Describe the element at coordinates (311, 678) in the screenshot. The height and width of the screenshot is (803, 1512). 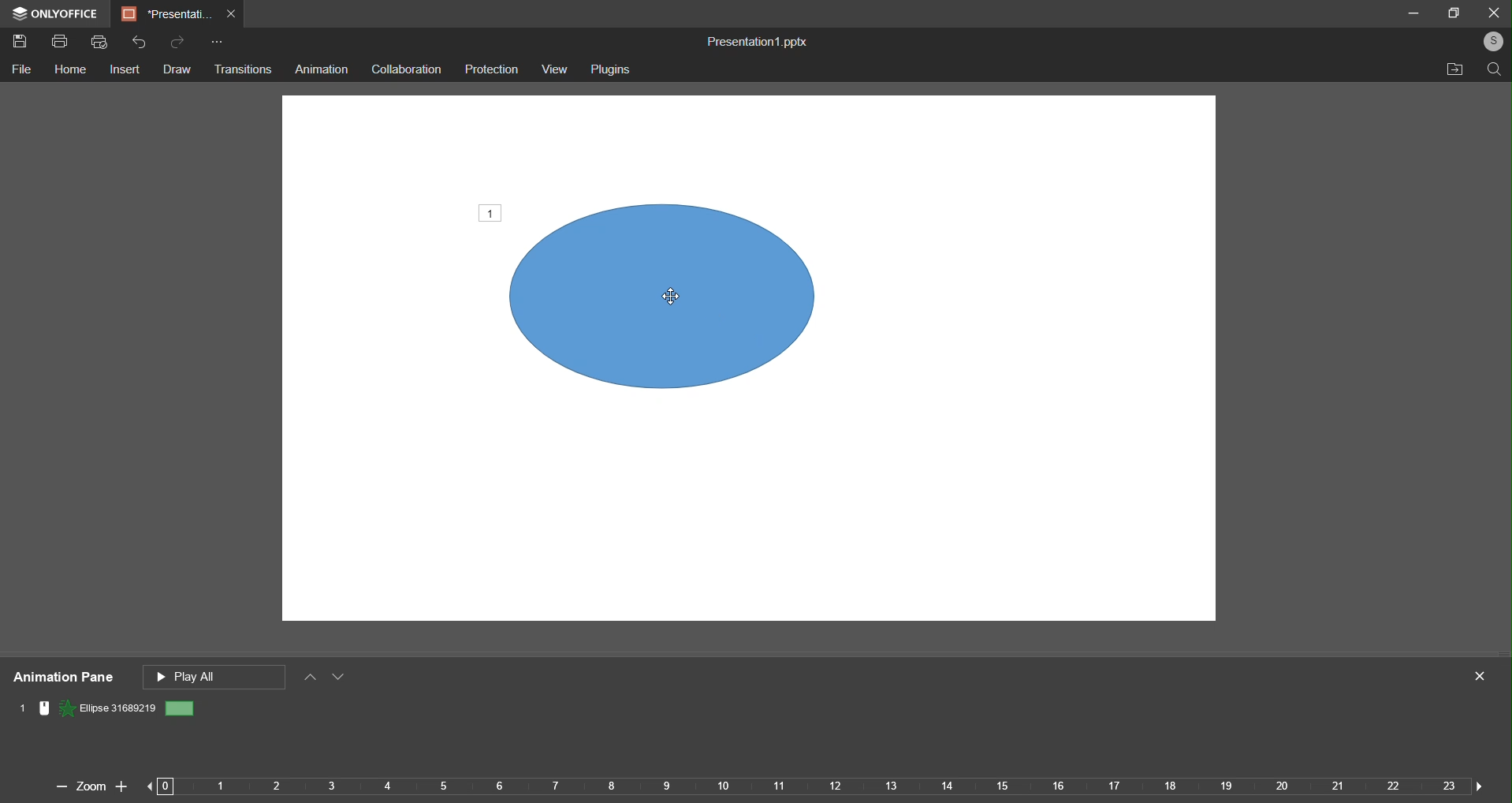
I see `move up` at that location.